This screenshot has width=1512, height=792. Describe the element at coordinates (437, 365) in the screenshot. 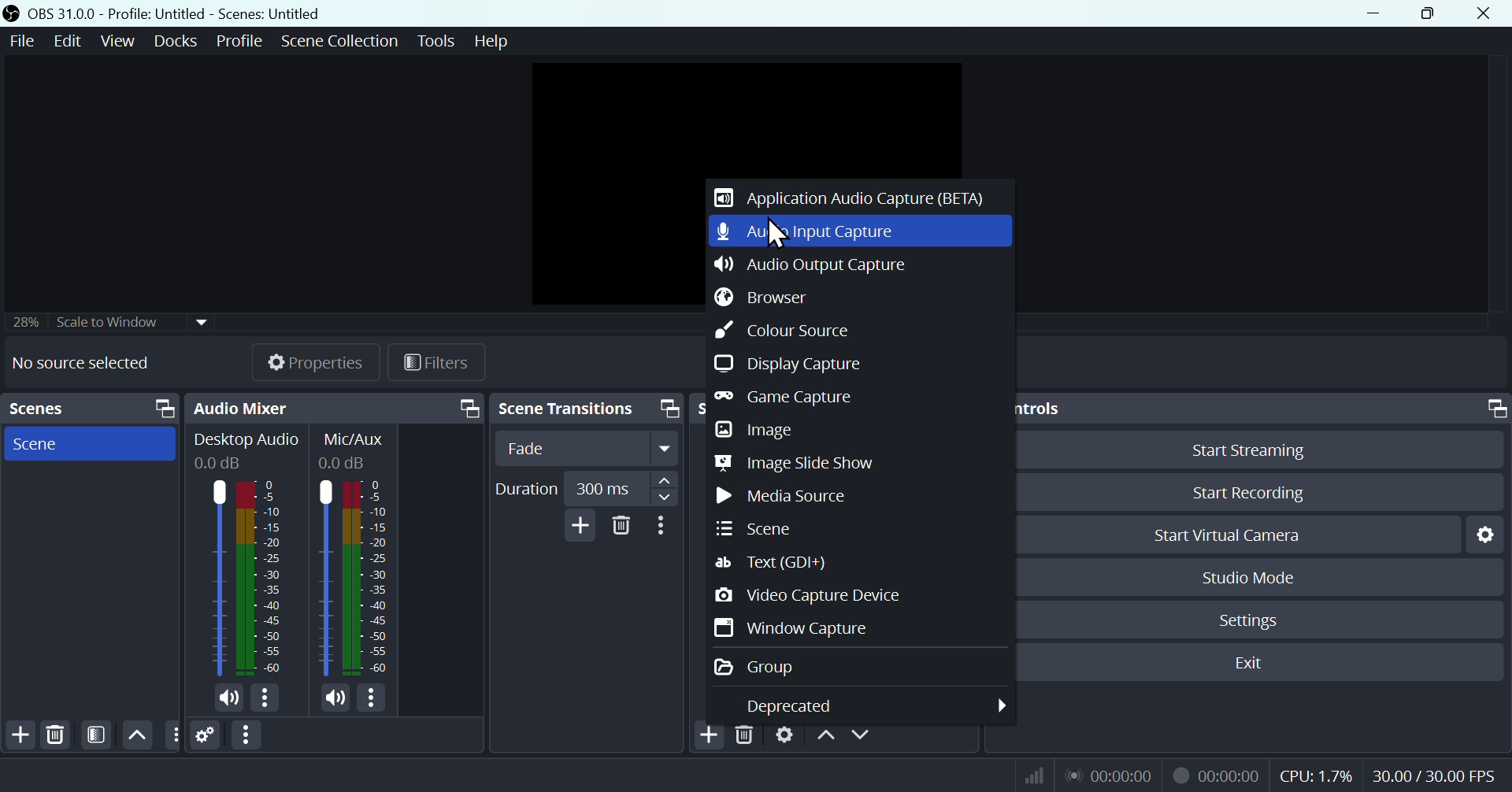

I see `Filtres` at that location.